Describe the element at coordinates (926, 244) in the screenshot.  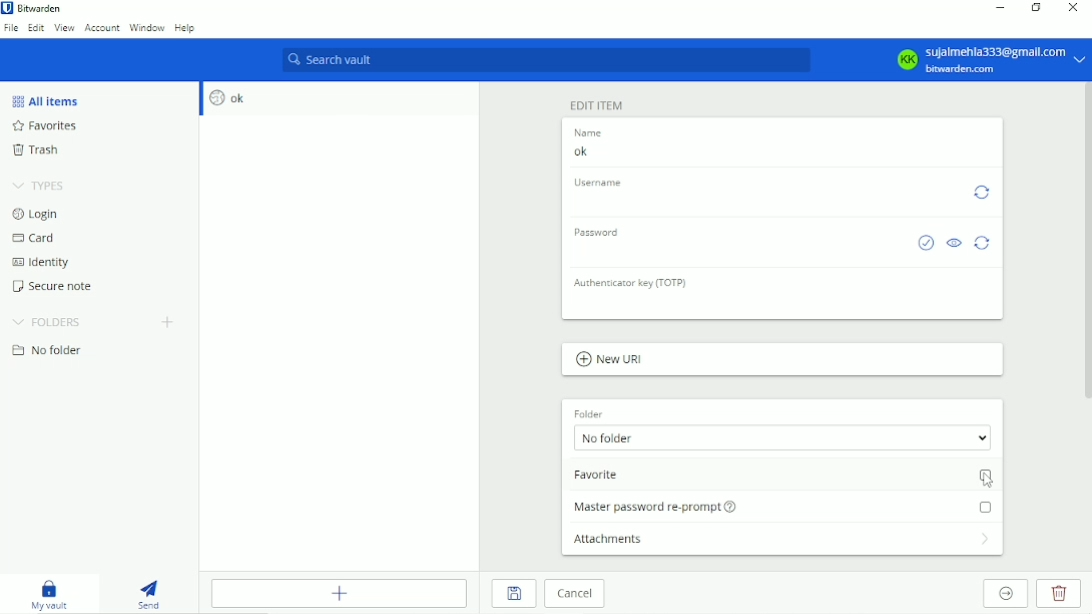
I see `Check if password has been exposed` at that location.